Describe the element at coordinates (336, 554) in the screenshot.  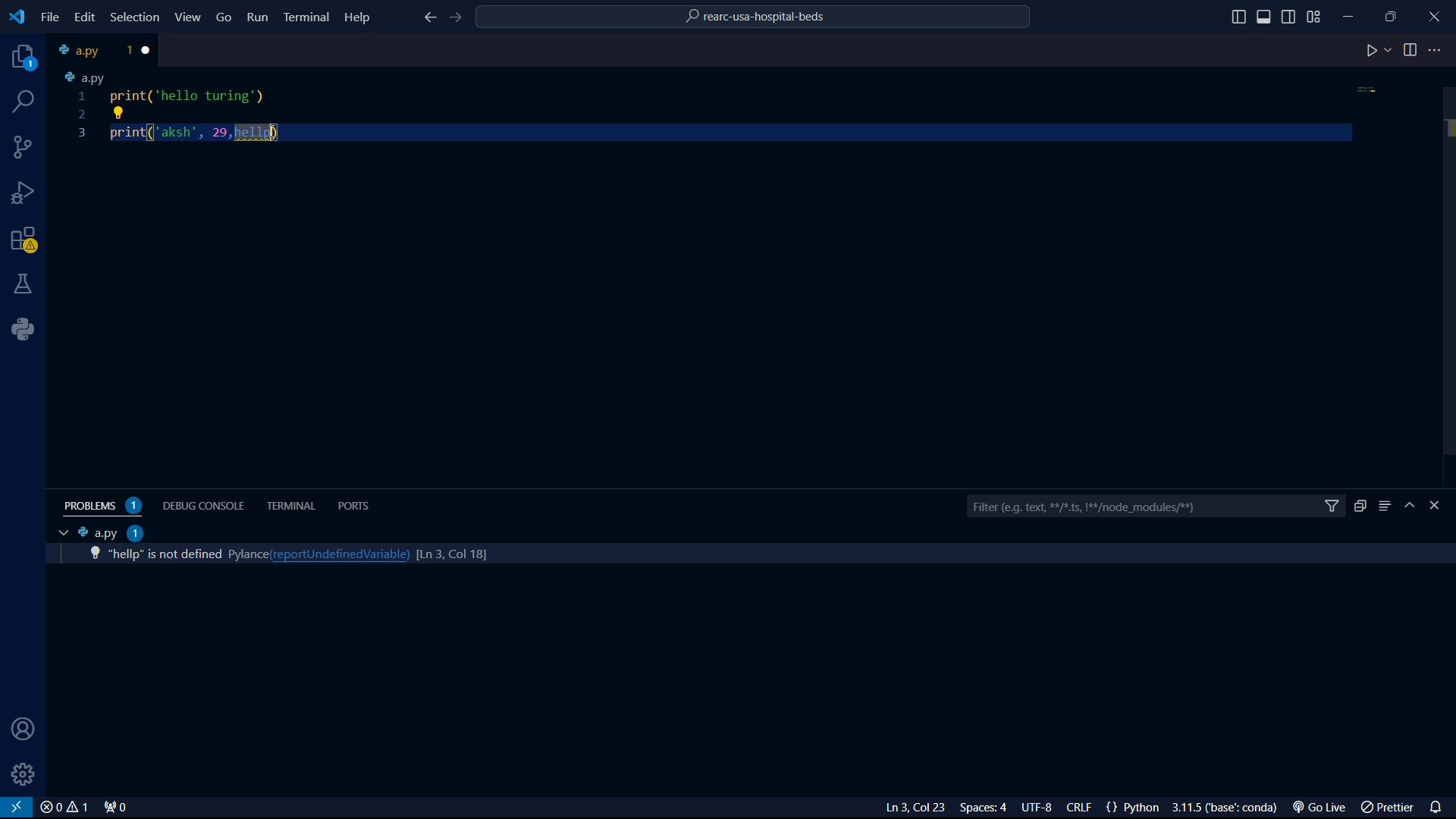
I see `reportundefinedvariable` at that location.